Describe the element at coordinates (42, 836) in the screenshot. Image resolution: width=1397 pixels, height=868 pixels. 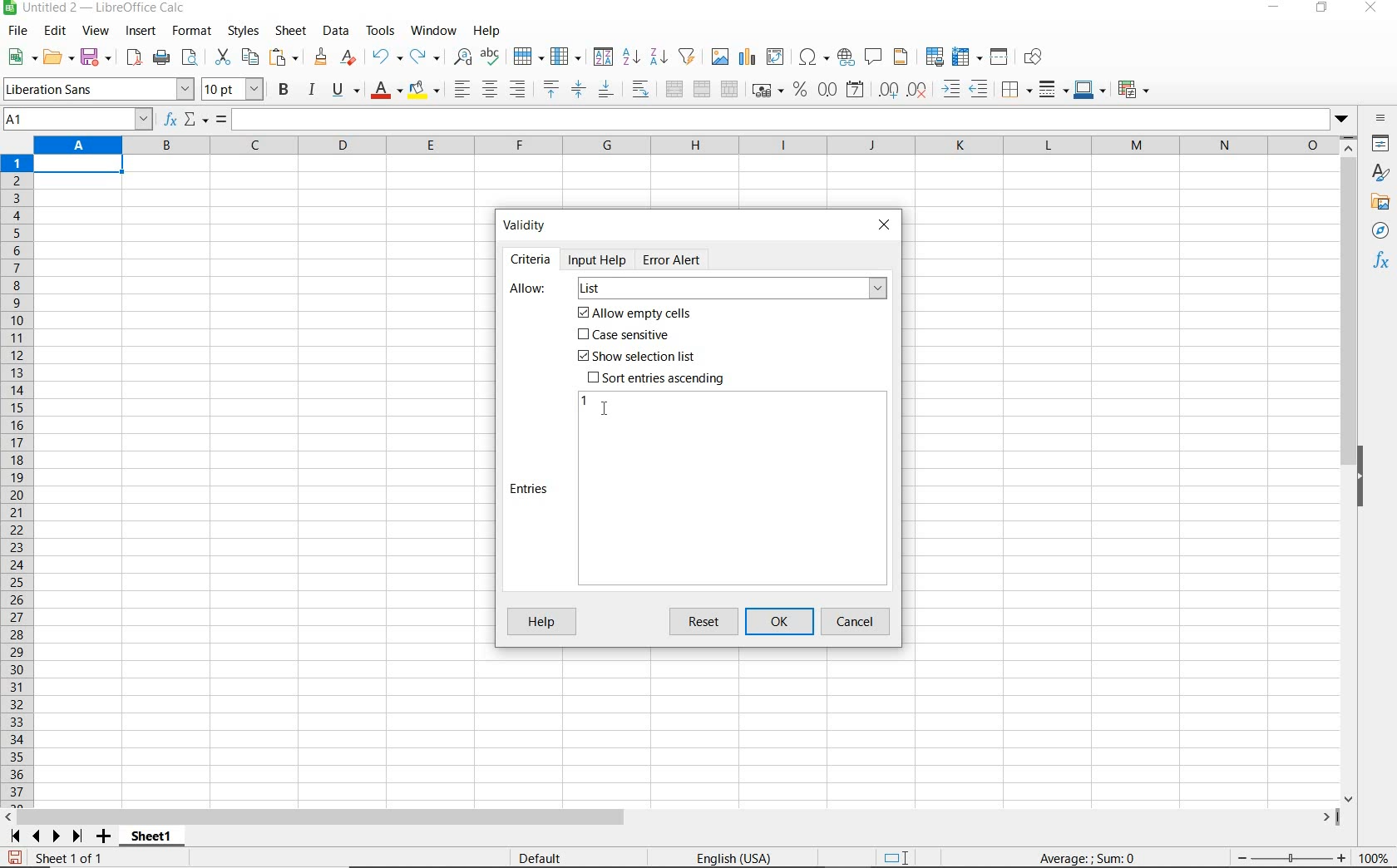
I see `scroll next` at that location.